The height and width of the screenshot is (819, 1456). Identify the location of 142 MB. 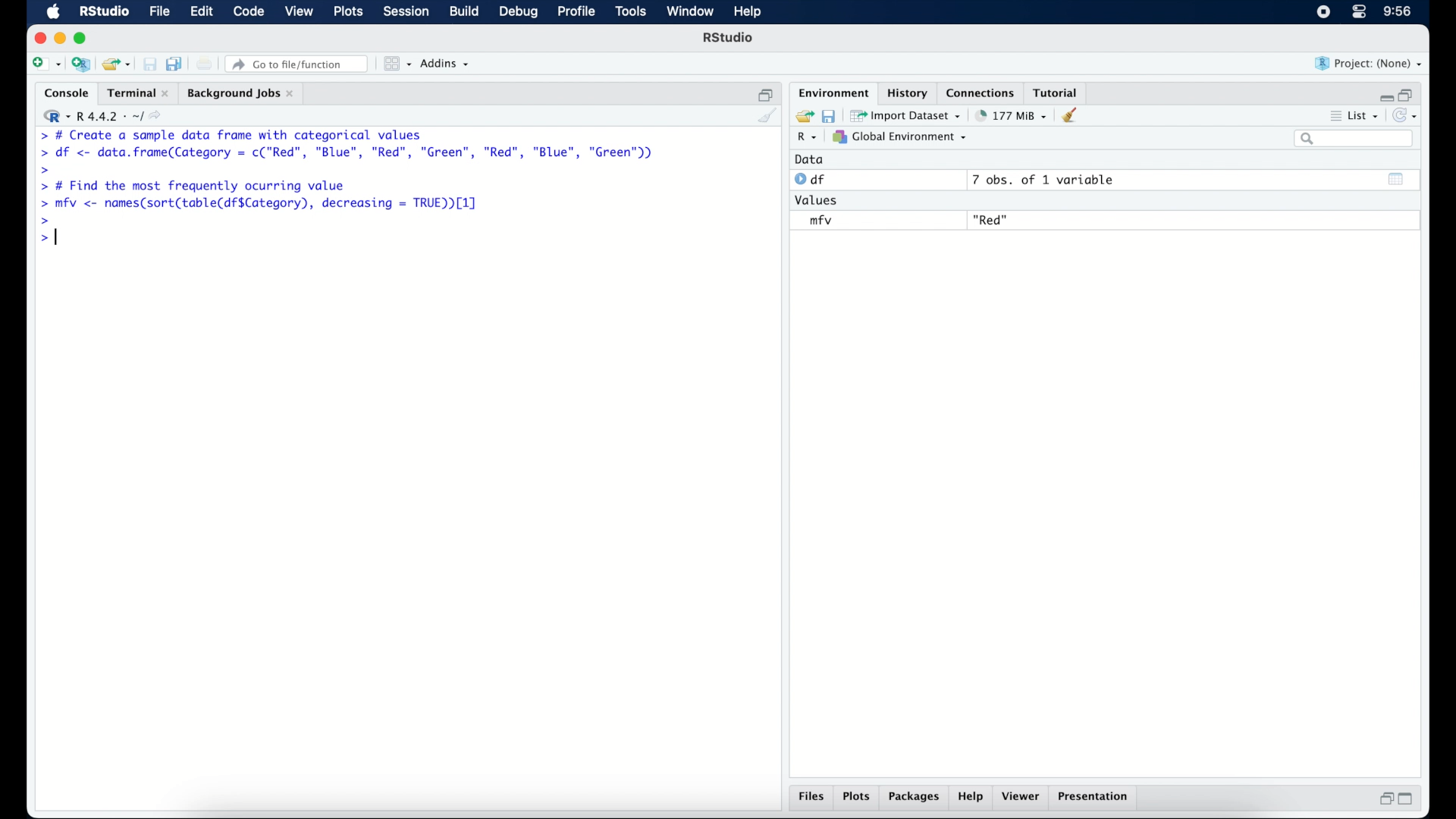
(1012, 115).